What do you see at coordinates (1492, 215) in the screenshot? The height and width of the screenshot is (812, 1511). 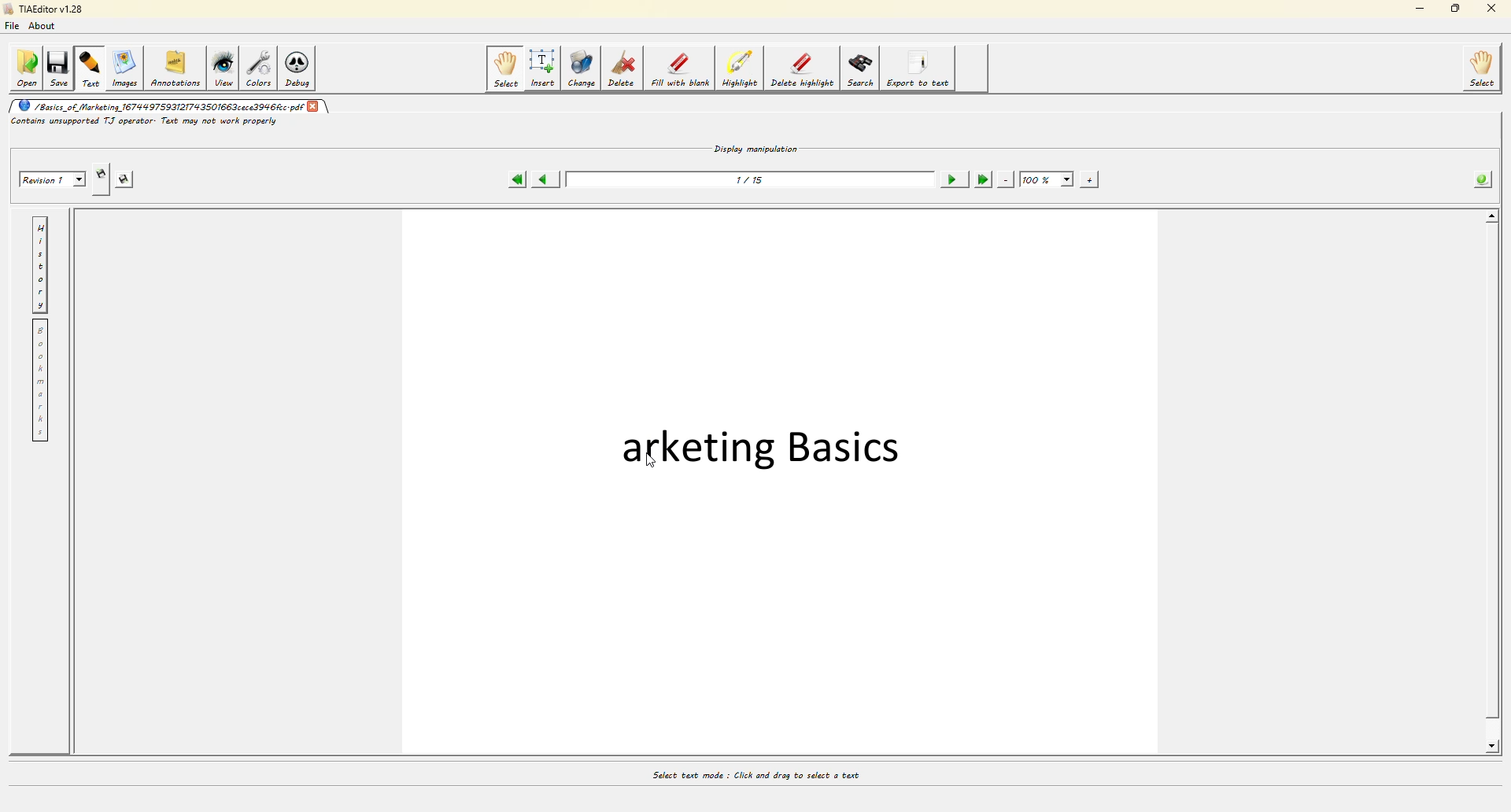 I see `move up` at bounding box center [1492, 215].